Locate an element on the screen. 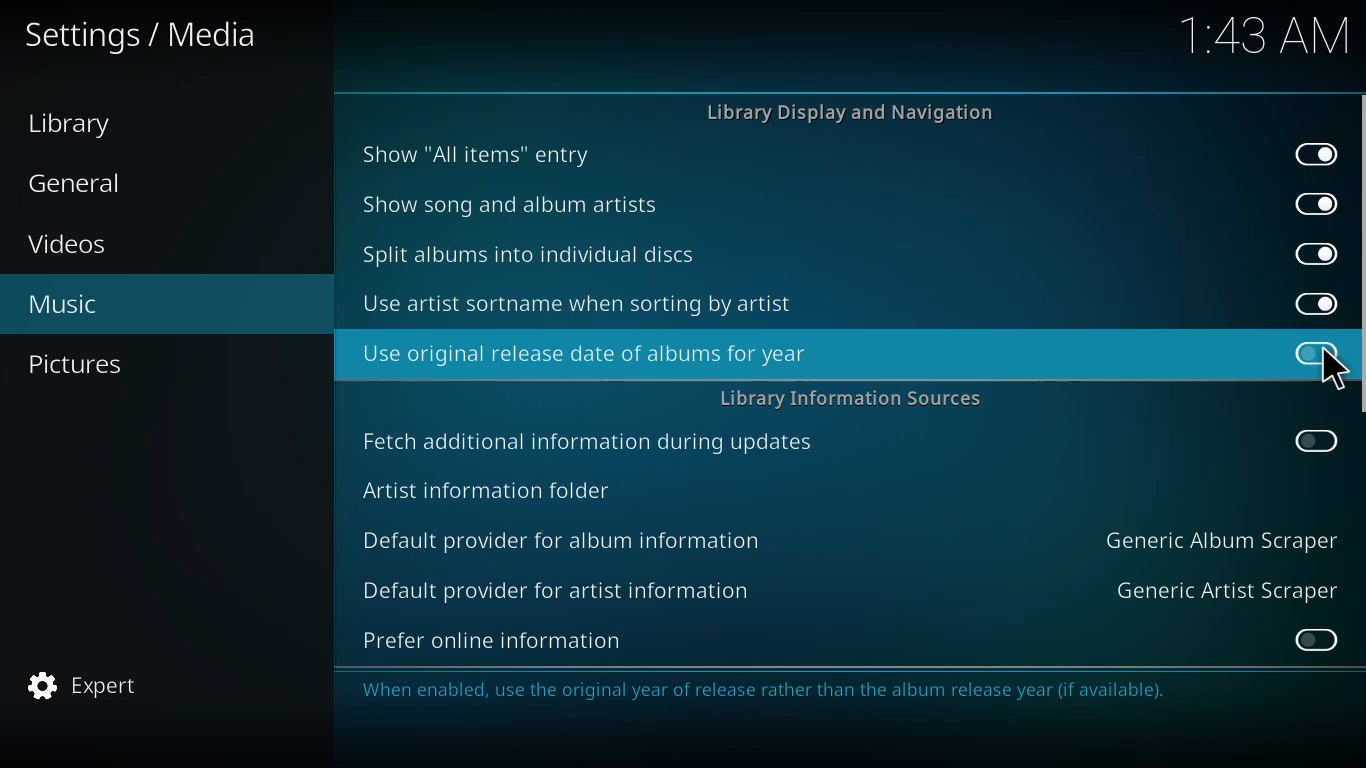 Image resolution: width=1366 pixels, height=768 pixels. generic artist scraper is located at coordinates (1226, 589).